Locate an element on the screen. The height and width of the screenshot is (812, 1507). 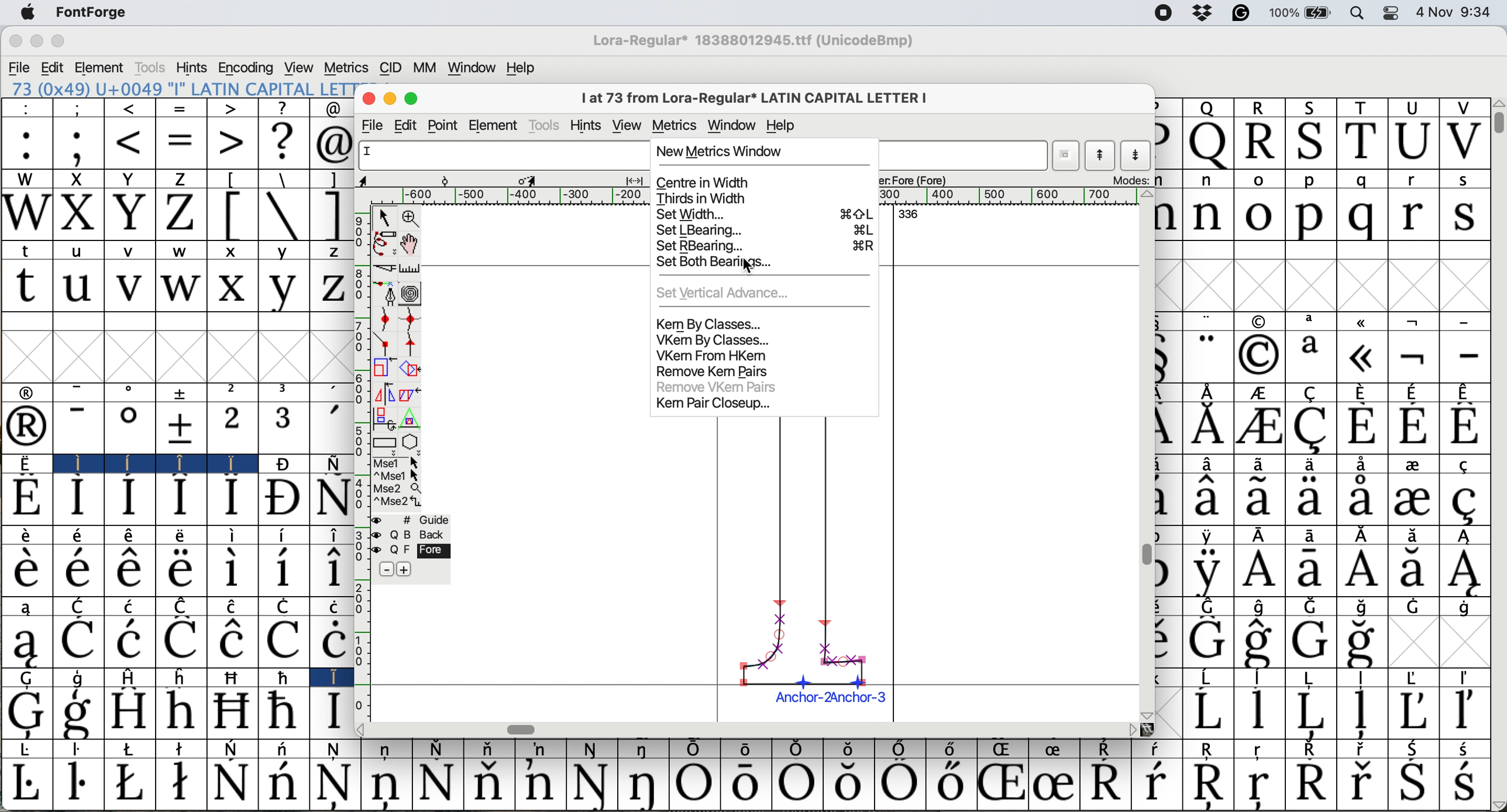
 is located at coordinates (380, 550).